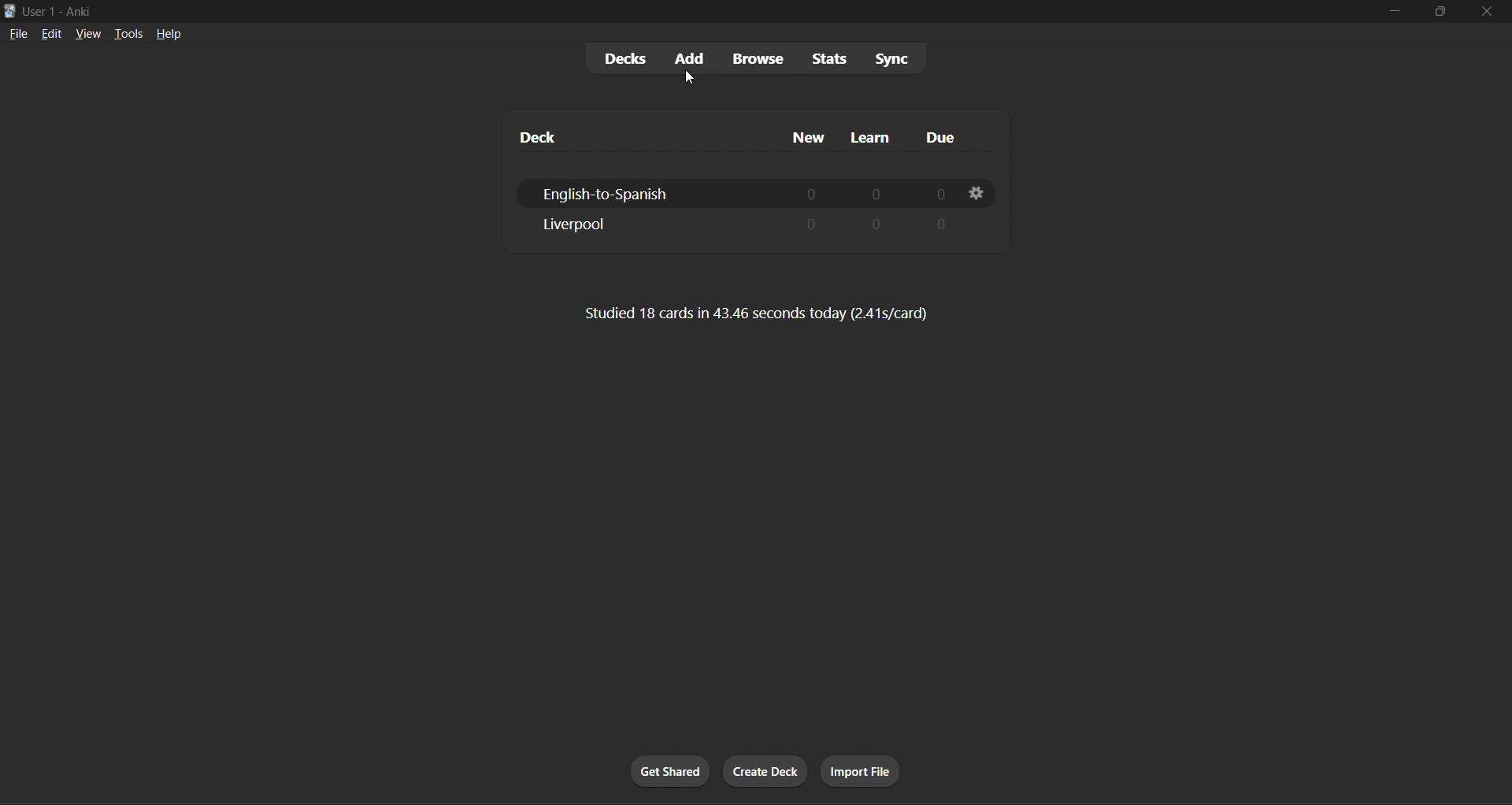 This screenshot has height=805, width=1512. Describe the element at coordinates (1436, 12) in the screenshot. I see `maximize/restore` at that location.